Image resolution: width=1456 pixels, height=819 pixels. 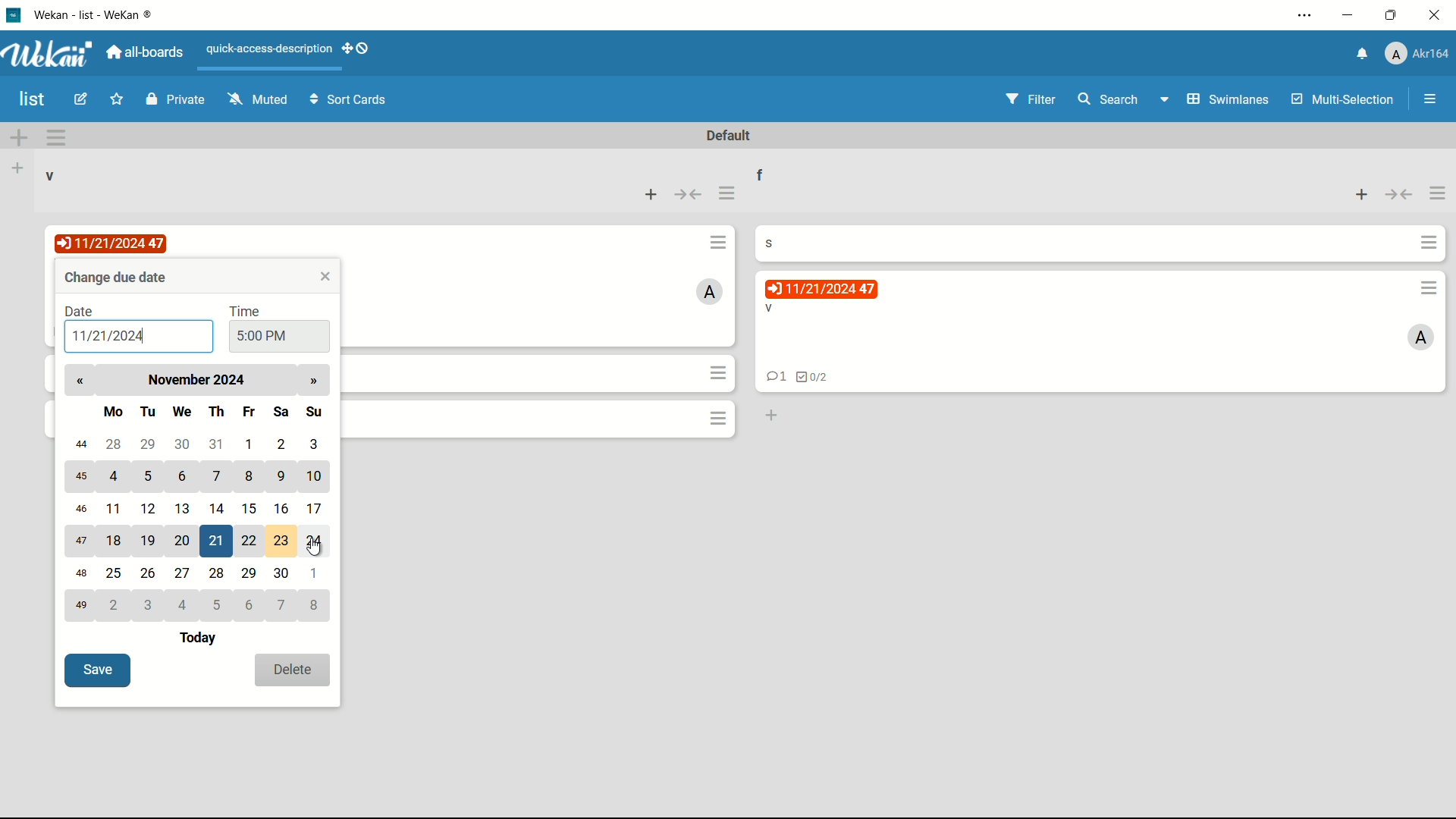 What do you see at coordinates (315, 444) in the screenshot?
I see `3` at bounding box center [315, 444].